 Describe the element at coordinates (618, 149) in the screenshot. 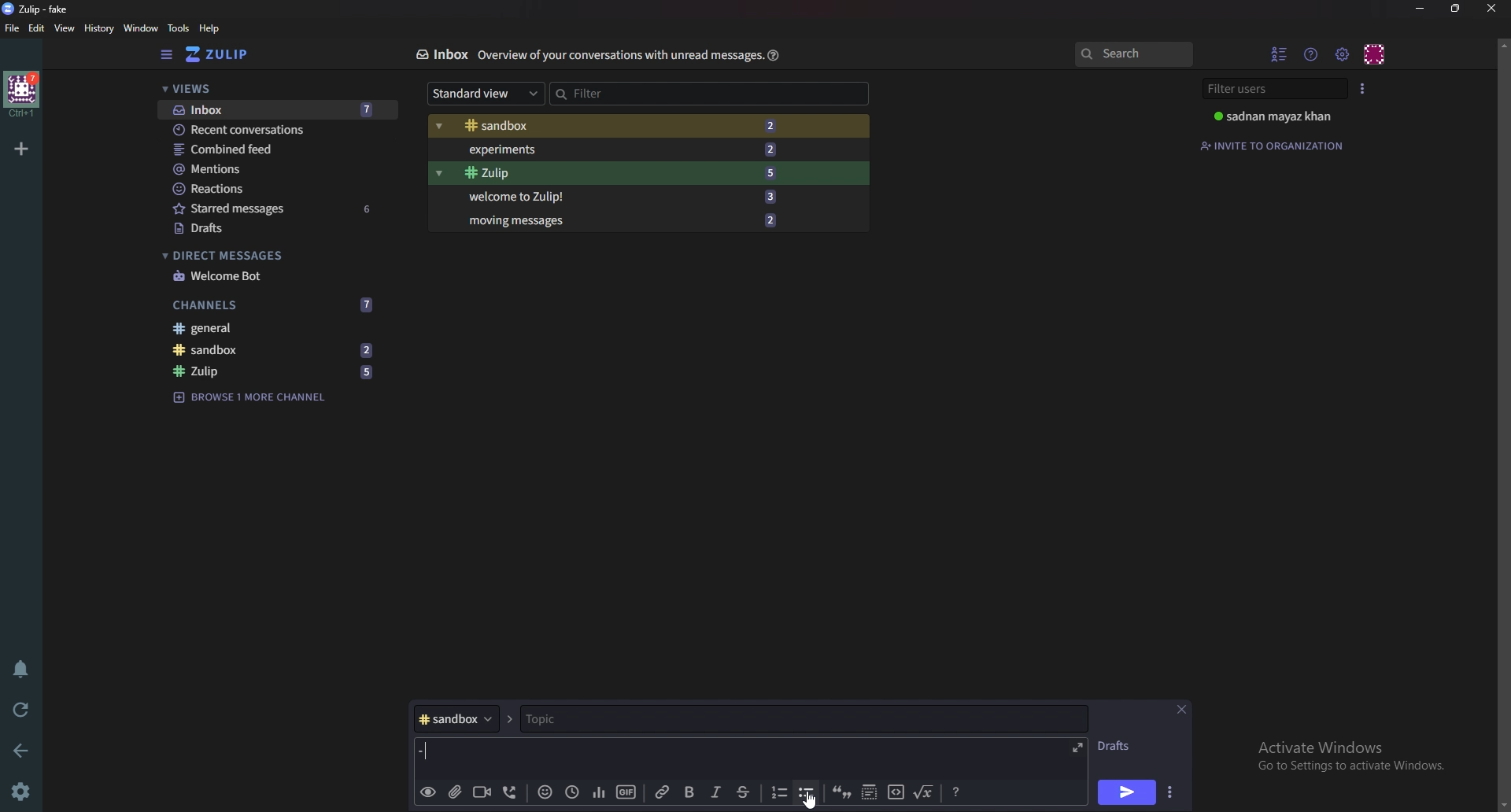

I see `Experiments` at that location.